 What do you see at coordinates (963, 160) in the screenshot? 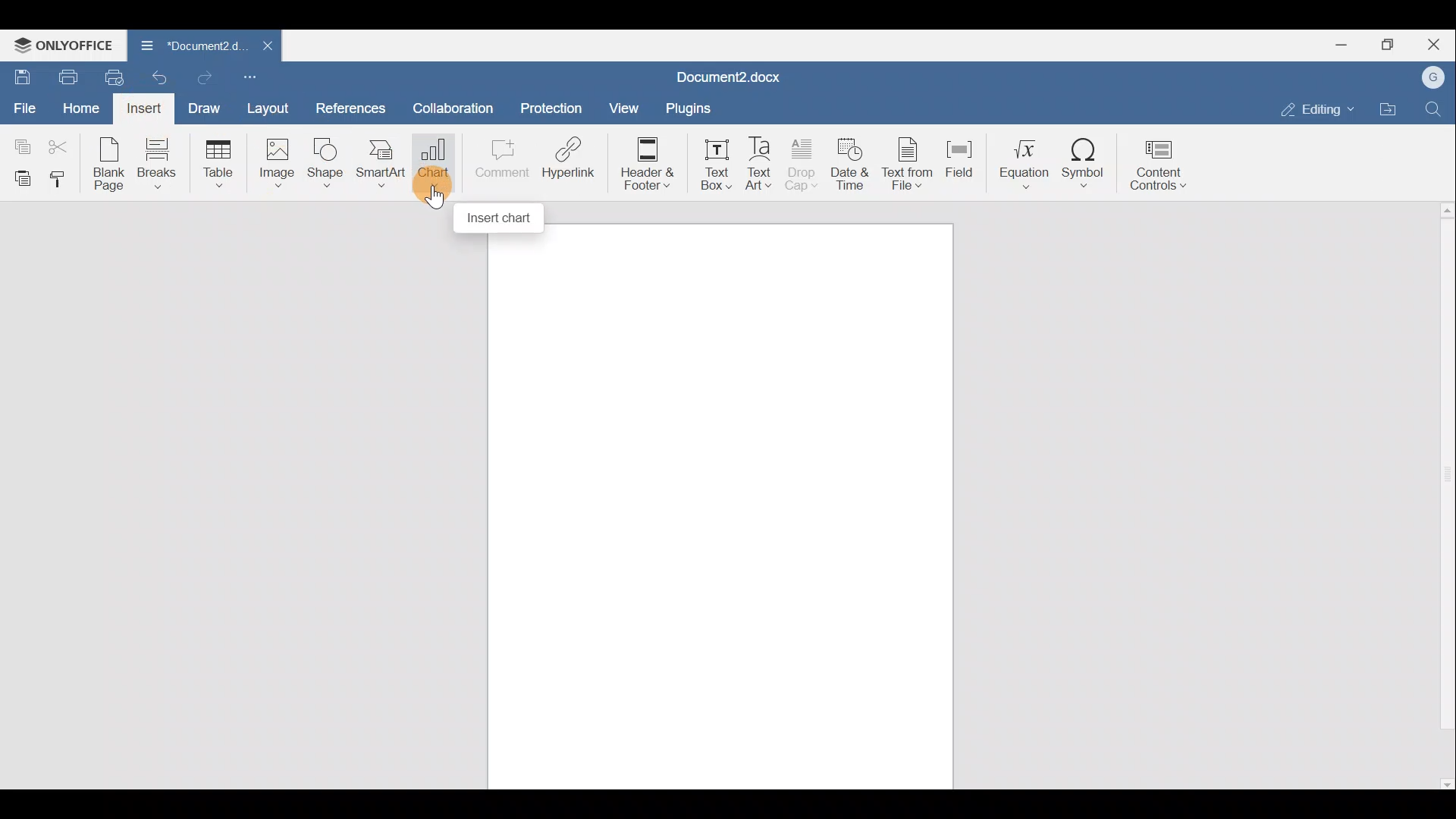
I see `Field` at bounding box center [963, 160].